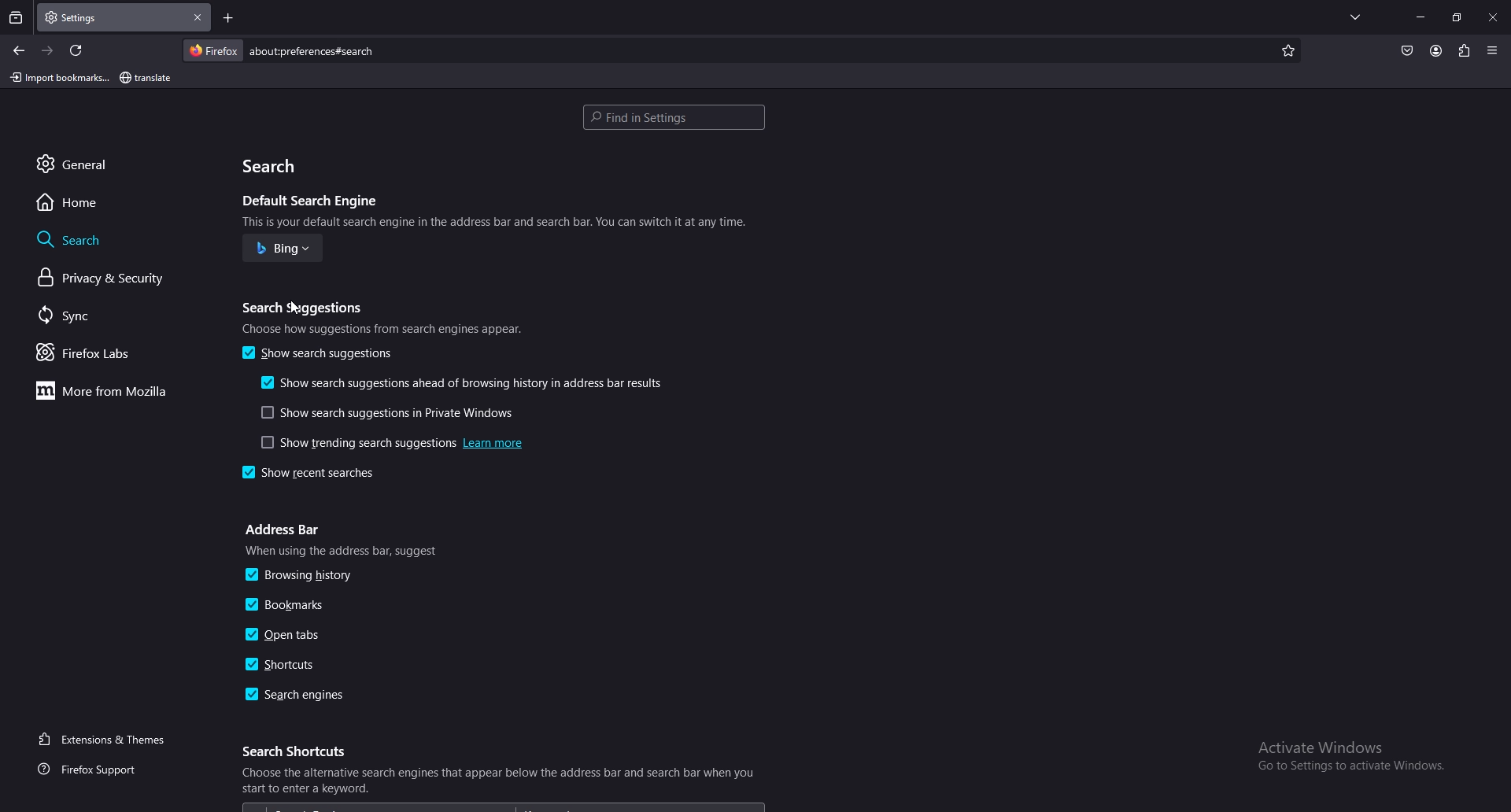 Image resolution: width=1511 pixels, height=812 pixels. I want to click on search, so click(720, 51).